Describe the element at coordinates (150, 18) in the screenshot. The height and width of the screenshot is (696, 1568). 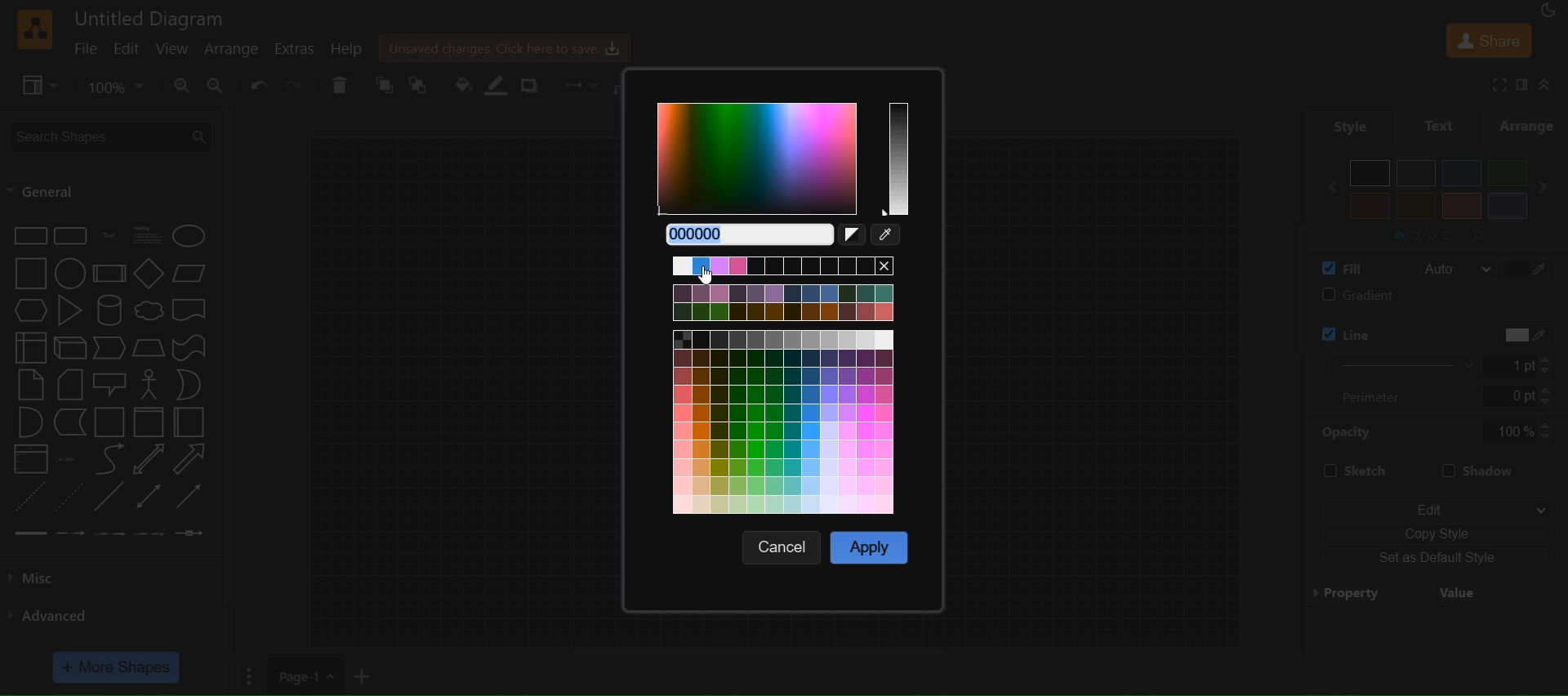
I see `title` at that location.